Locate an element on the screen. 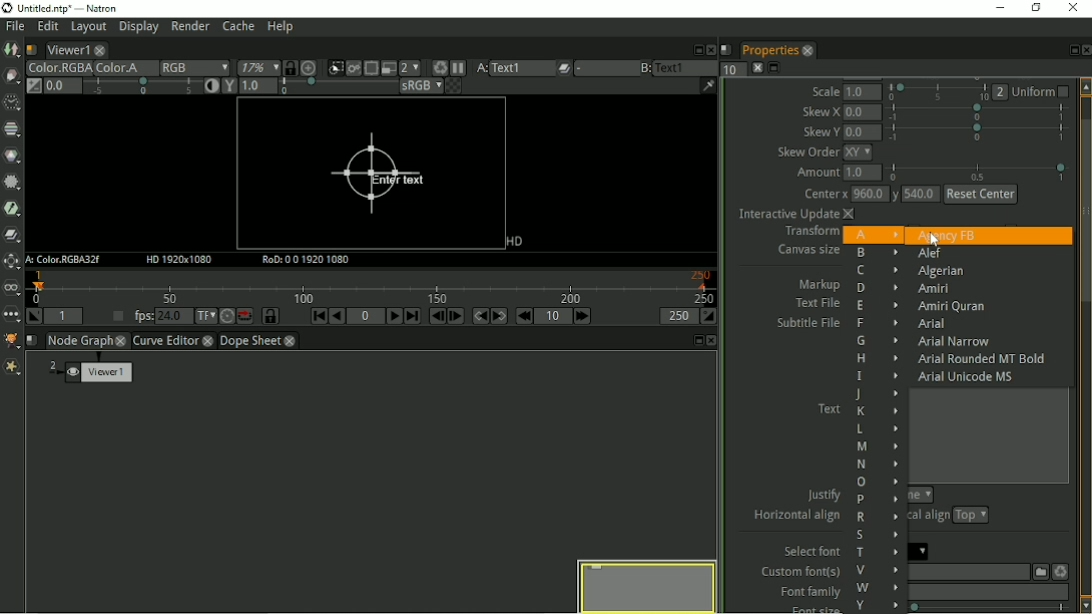 The height and width of the screenshot is (614, 1092). Clips the portion of image is located at coordinates (335, 66).